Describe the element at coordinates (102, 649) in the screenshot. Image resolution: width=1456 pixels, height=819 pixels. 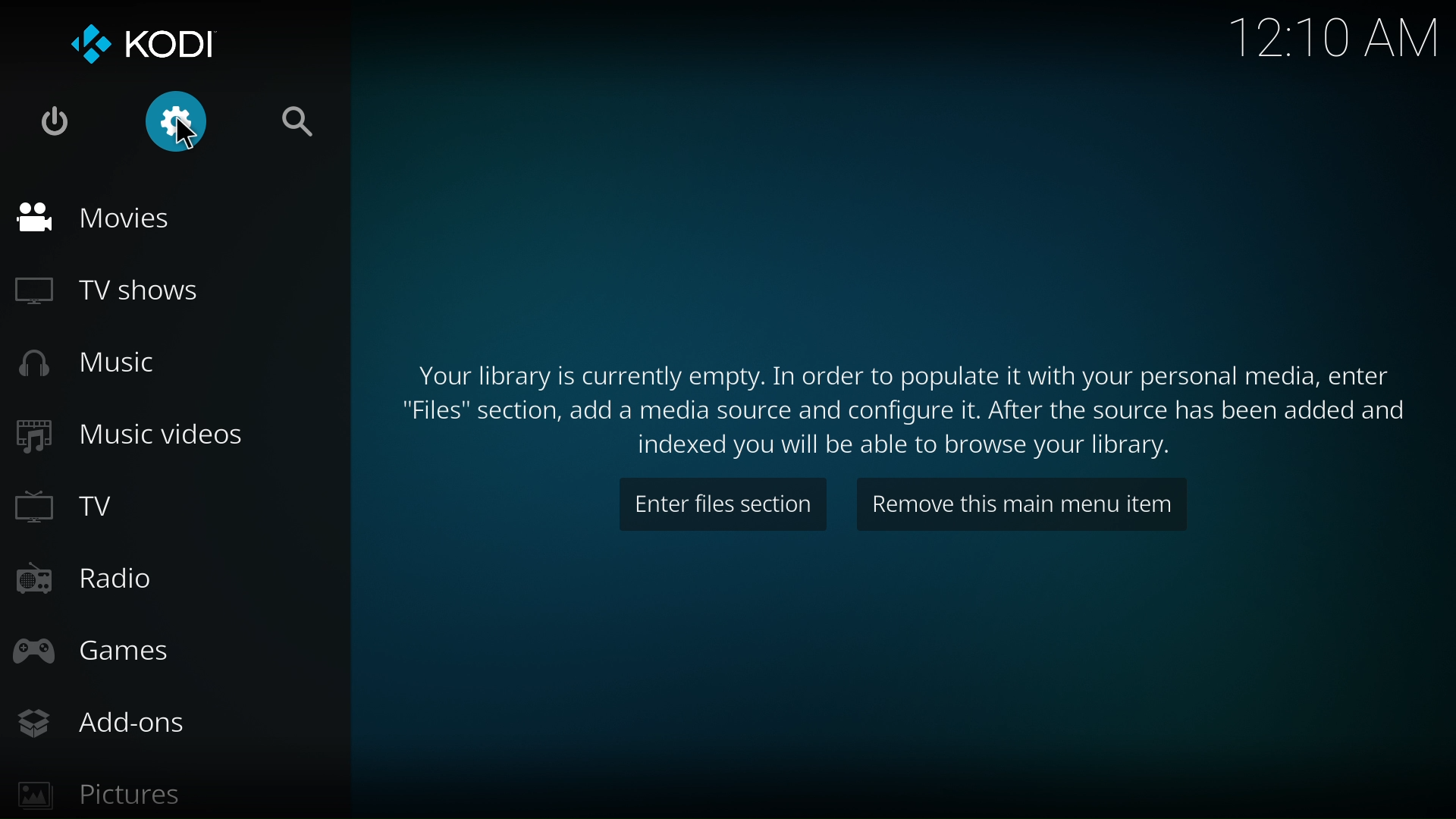
I see `games` at that location.